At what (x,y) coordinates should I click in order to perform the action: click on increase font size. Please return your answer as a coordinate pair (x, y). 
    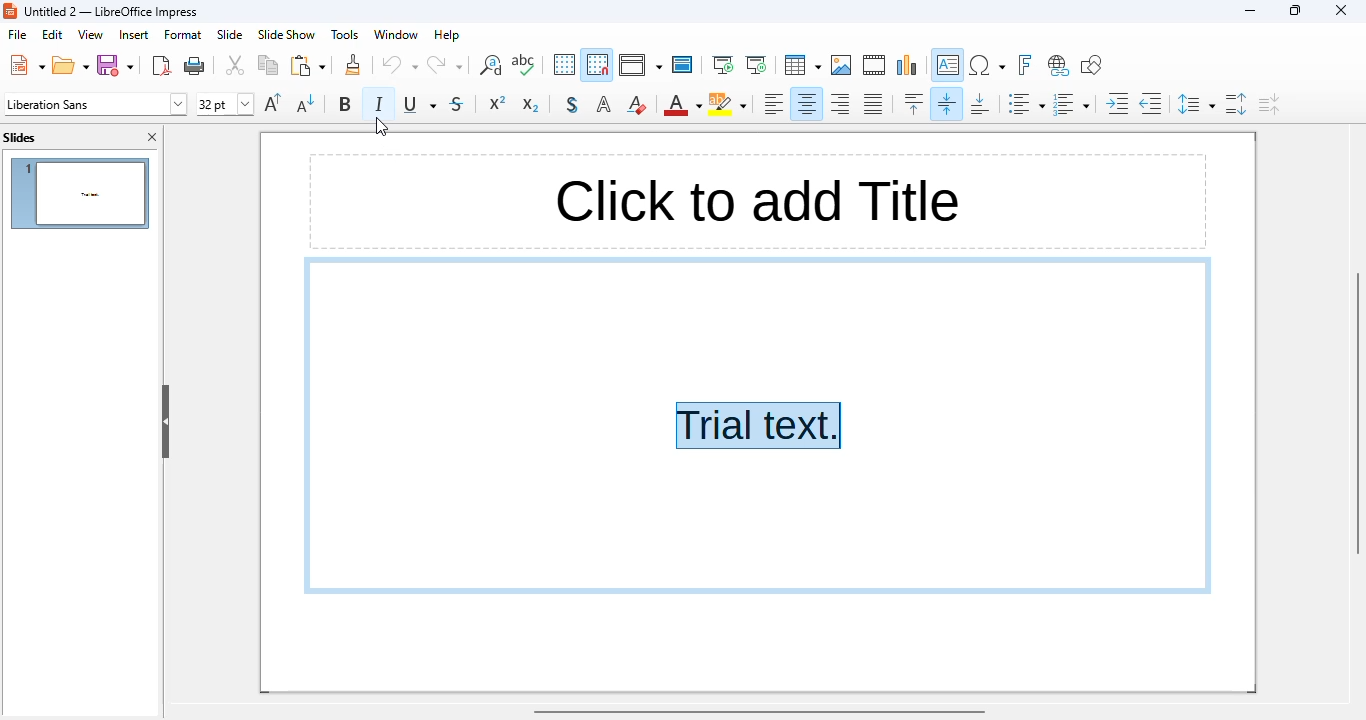
    Looking at the image, I should click on (273, 102).